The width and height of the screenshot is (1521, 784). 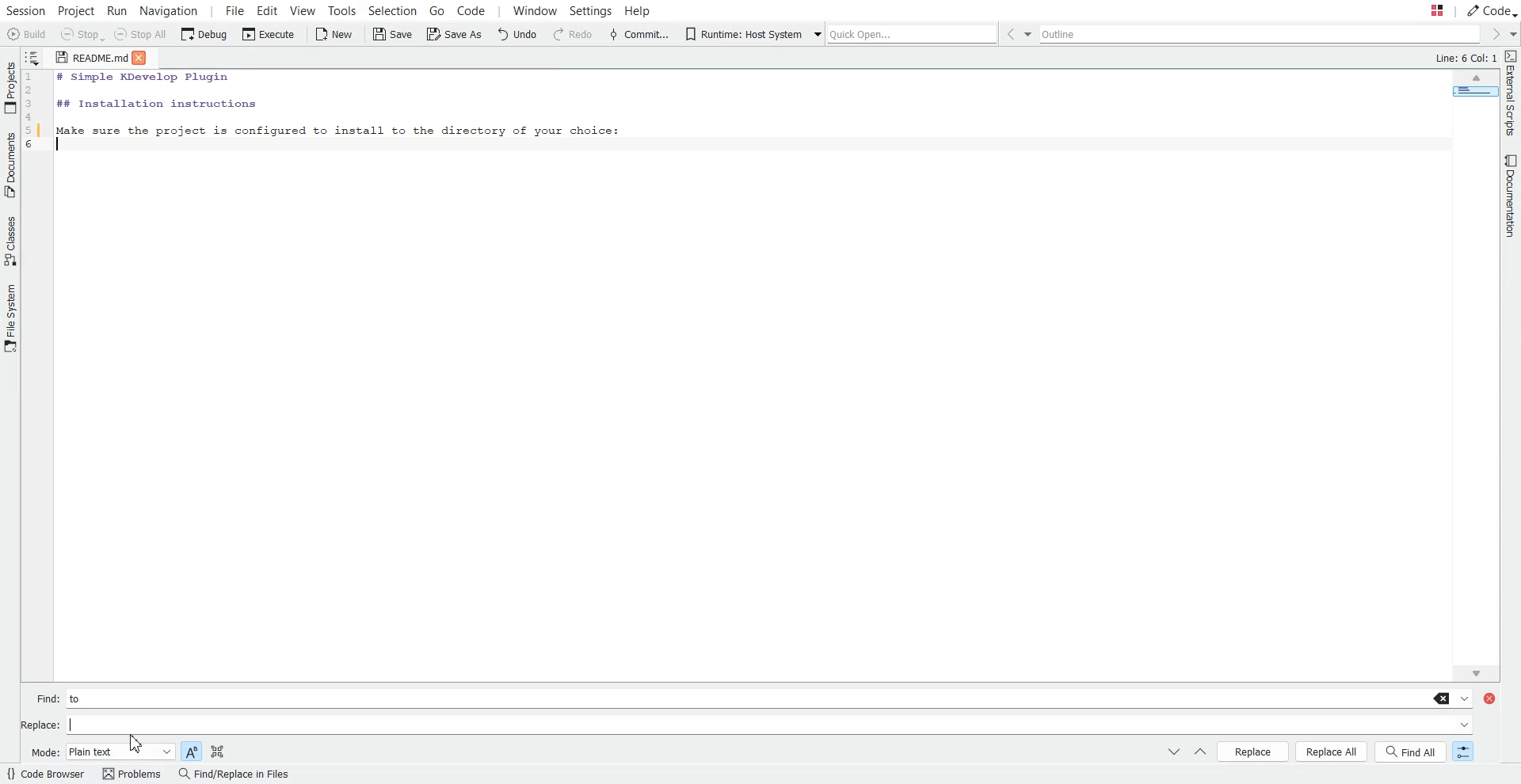 I want to click on Classes, so click(x=10, y=241).